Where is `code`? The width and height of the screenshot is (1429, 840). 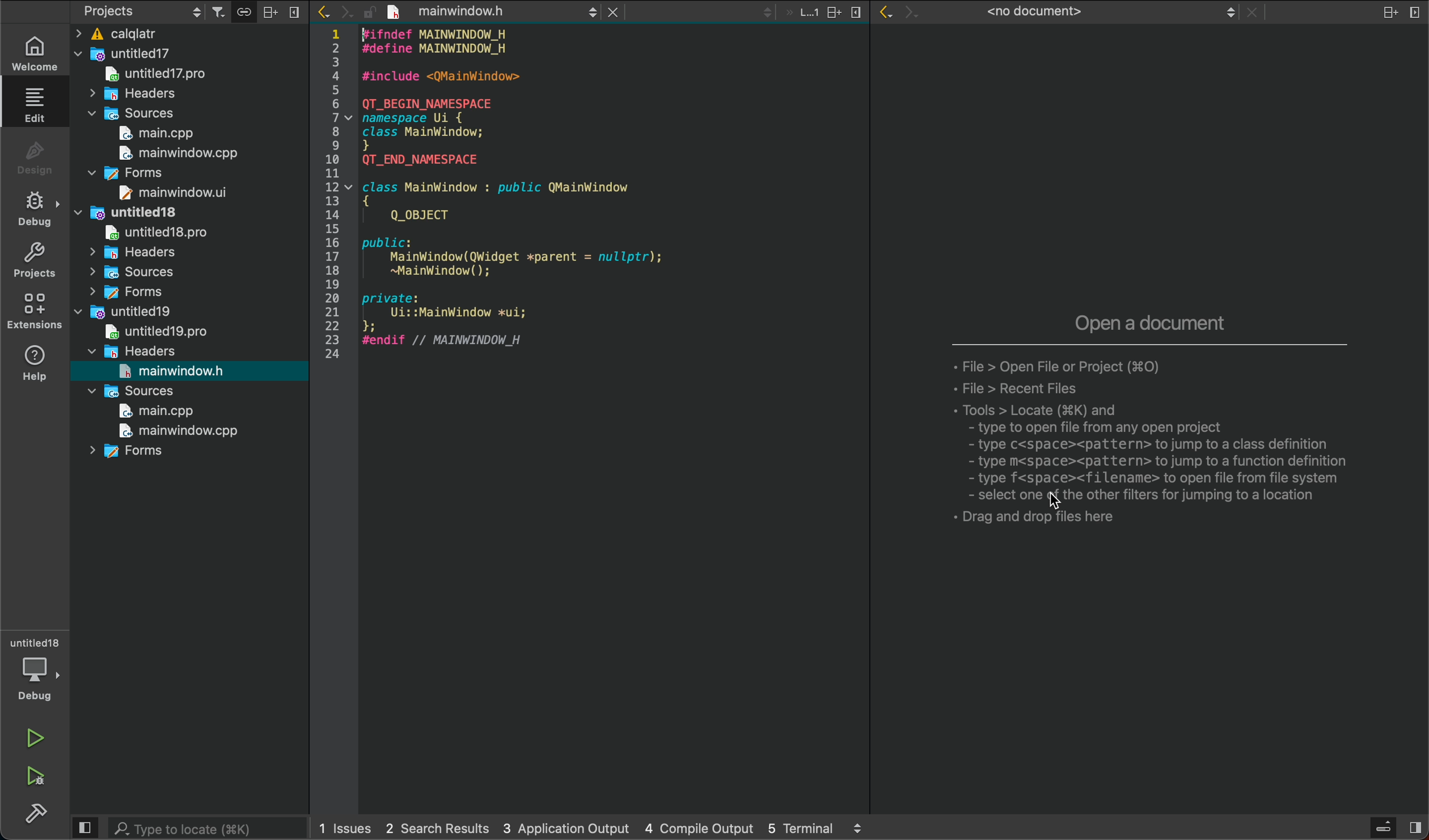
code is located at coordinates (593, 393).